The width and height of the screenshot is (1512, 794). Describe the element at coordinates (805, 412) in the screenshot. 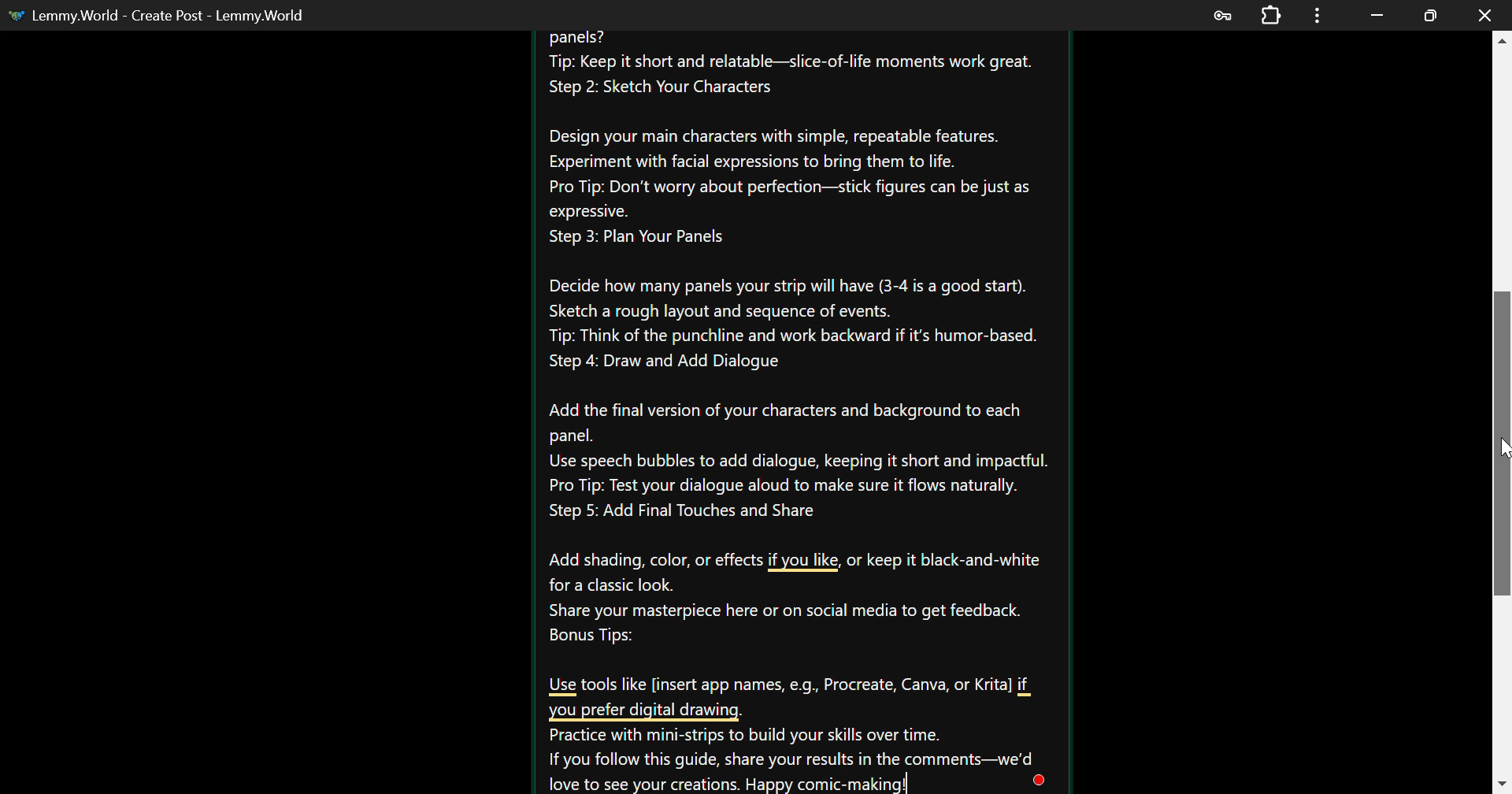

I see `Create your own Comic-strip Instructions` at that location.